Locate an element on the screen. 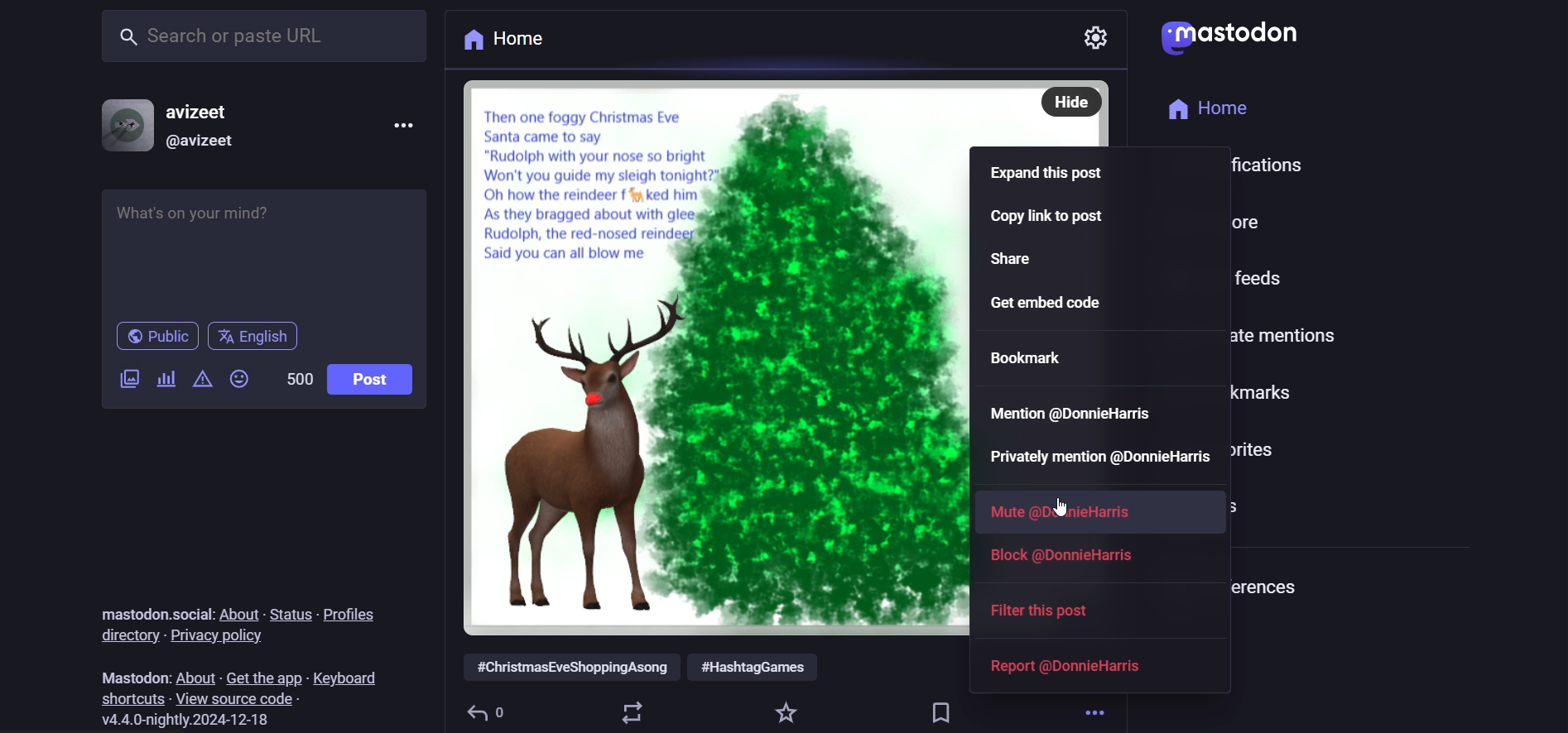  report is located at coordinates (1076, 666).